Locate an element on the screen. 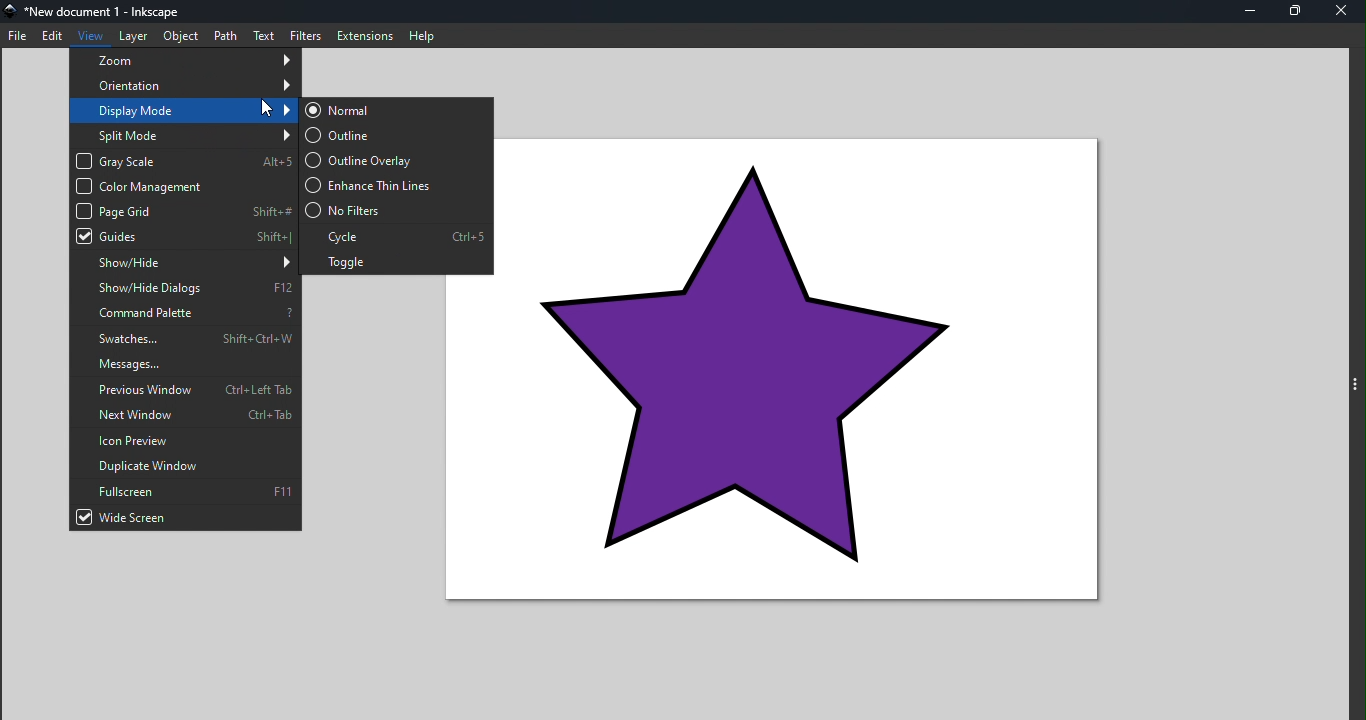 This screenshot has width=1366, height=720. Duplicate window is located at coordinates (188, 464).